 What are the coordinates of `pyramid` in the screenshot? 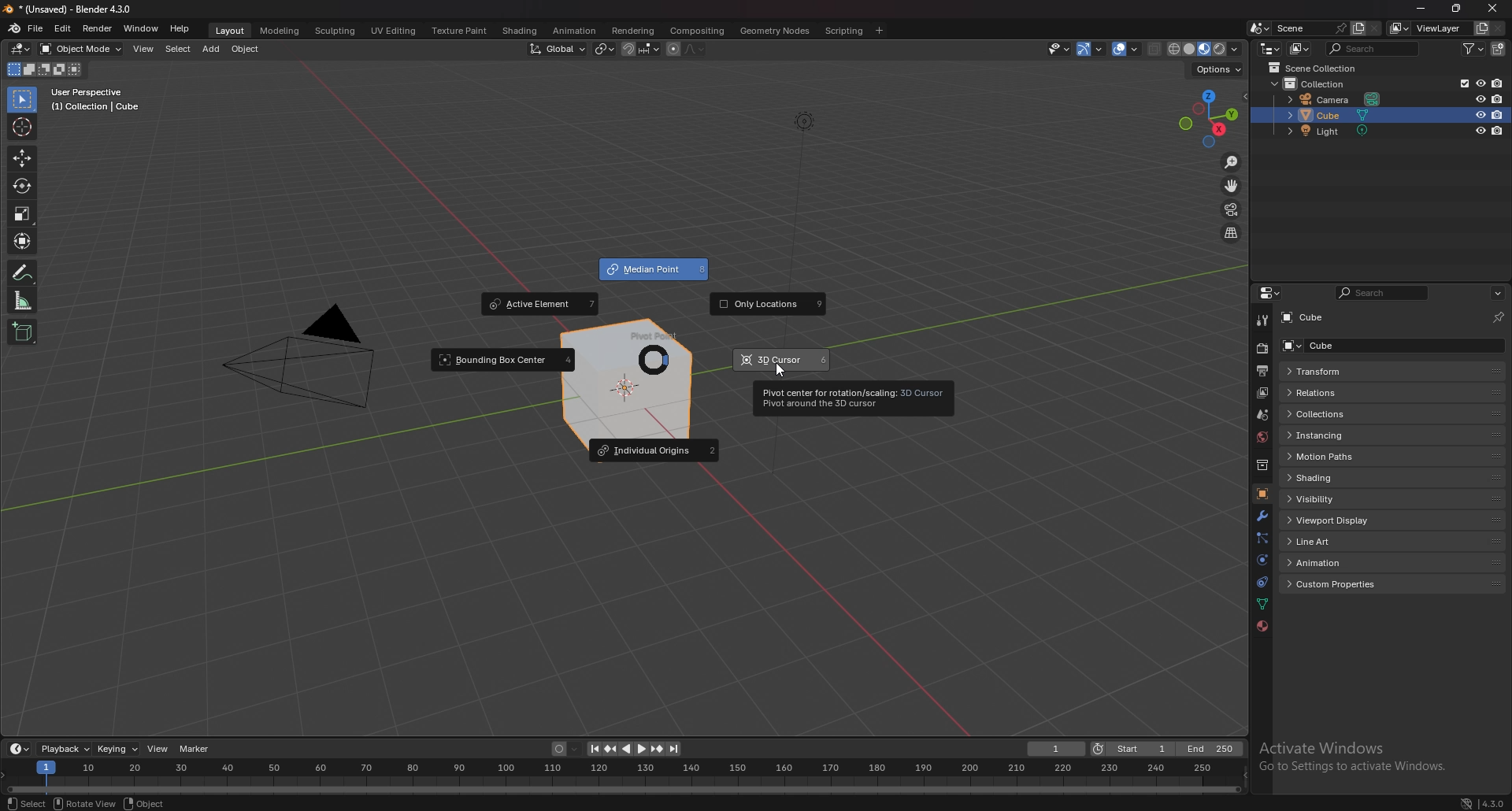 It's located at (297, 357).